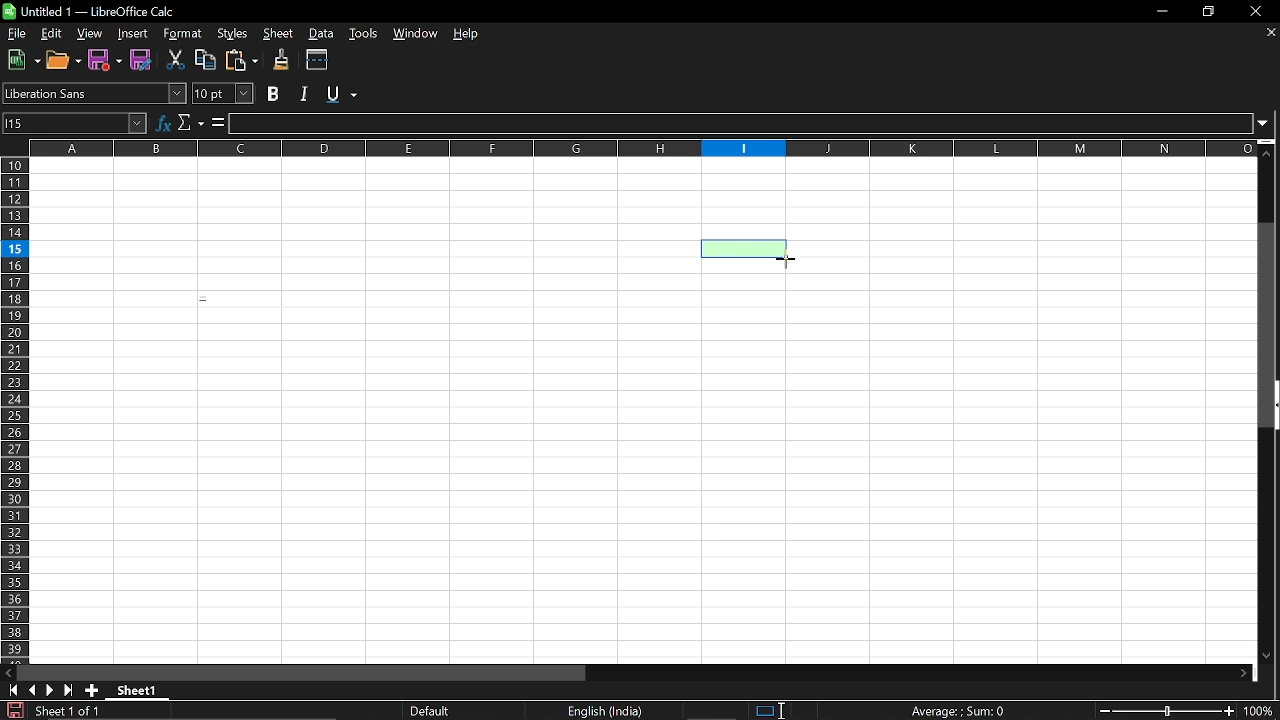 The image size is (1280, 720). I want to click on Current sheet, so click(136, 690).